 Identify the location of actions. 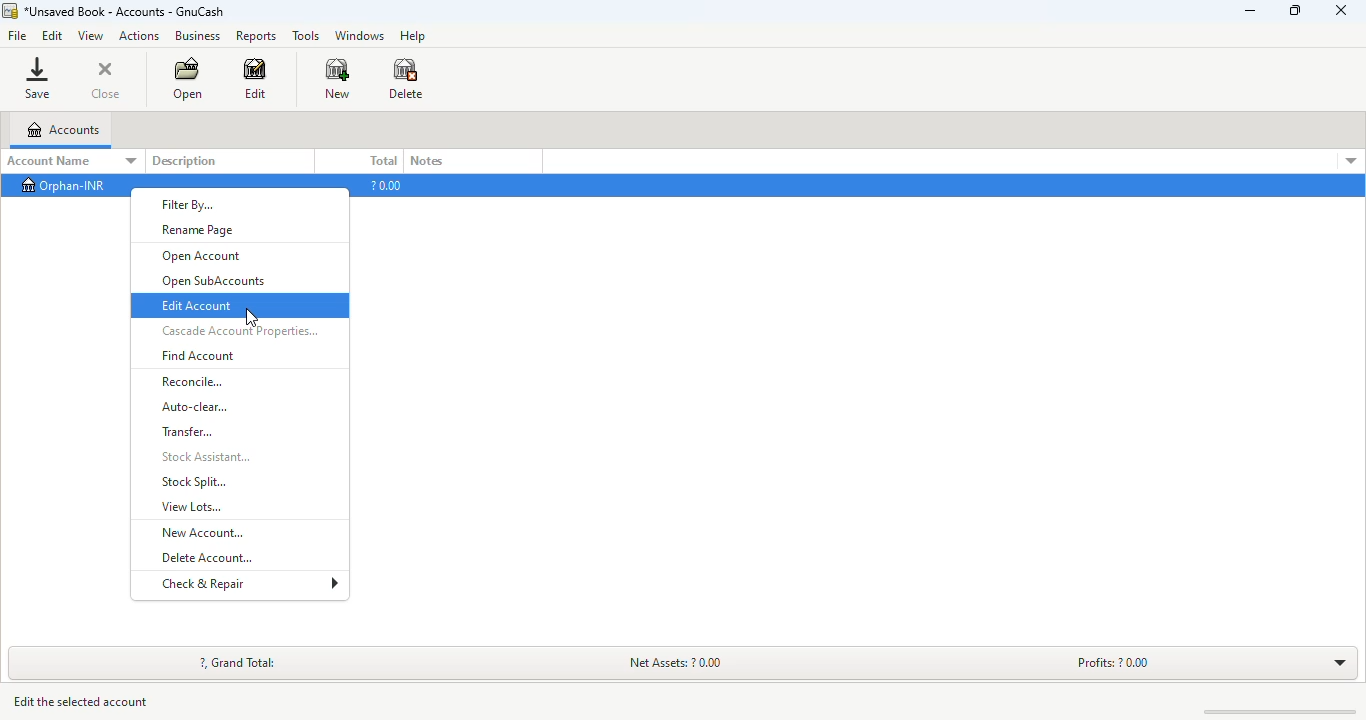
(140, 36).